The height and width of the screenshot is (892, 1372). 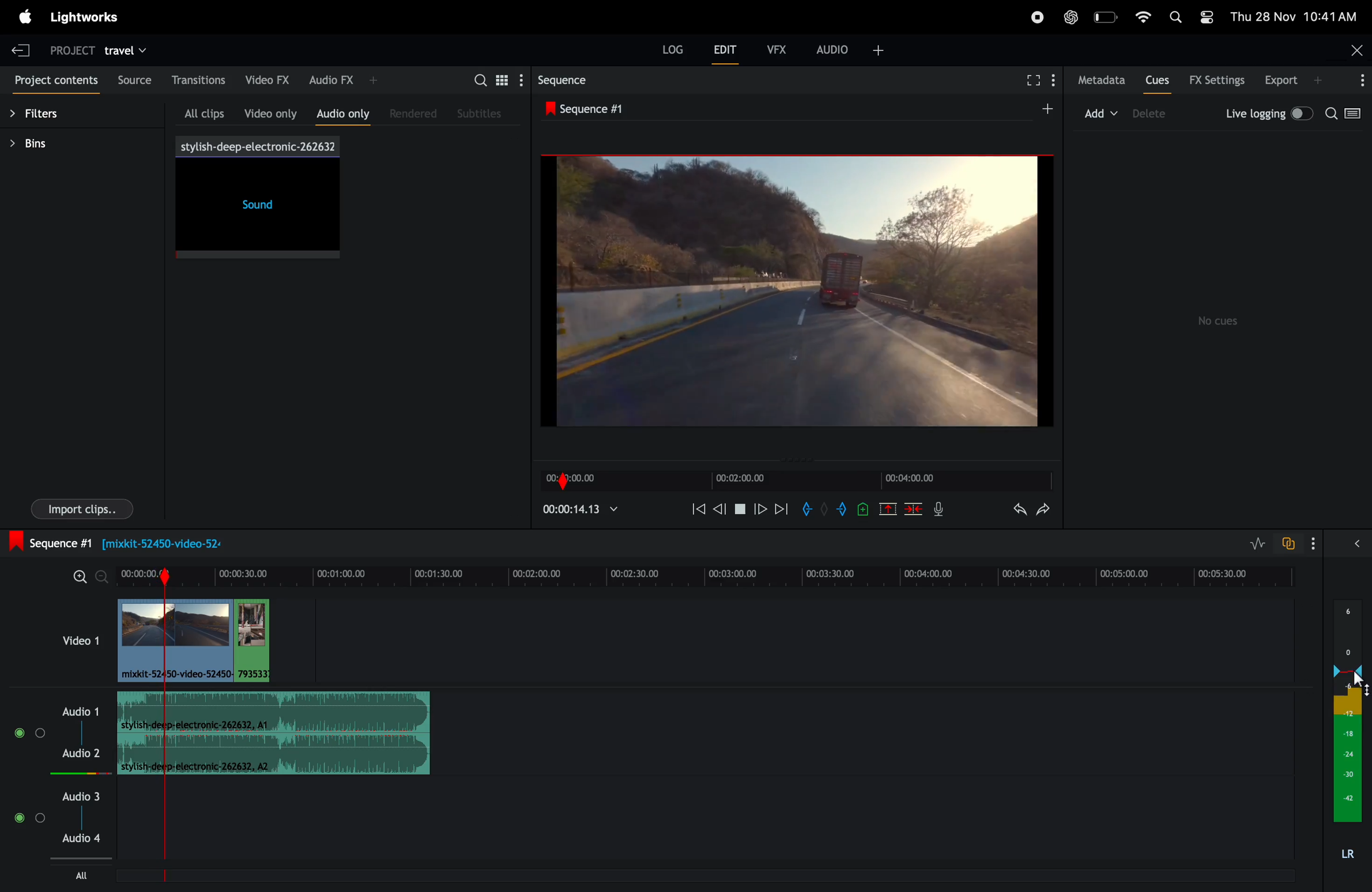 What do you see at coordinates (941, 510) in the screenshot?
I see `mic` at bounding box center [941, 510].